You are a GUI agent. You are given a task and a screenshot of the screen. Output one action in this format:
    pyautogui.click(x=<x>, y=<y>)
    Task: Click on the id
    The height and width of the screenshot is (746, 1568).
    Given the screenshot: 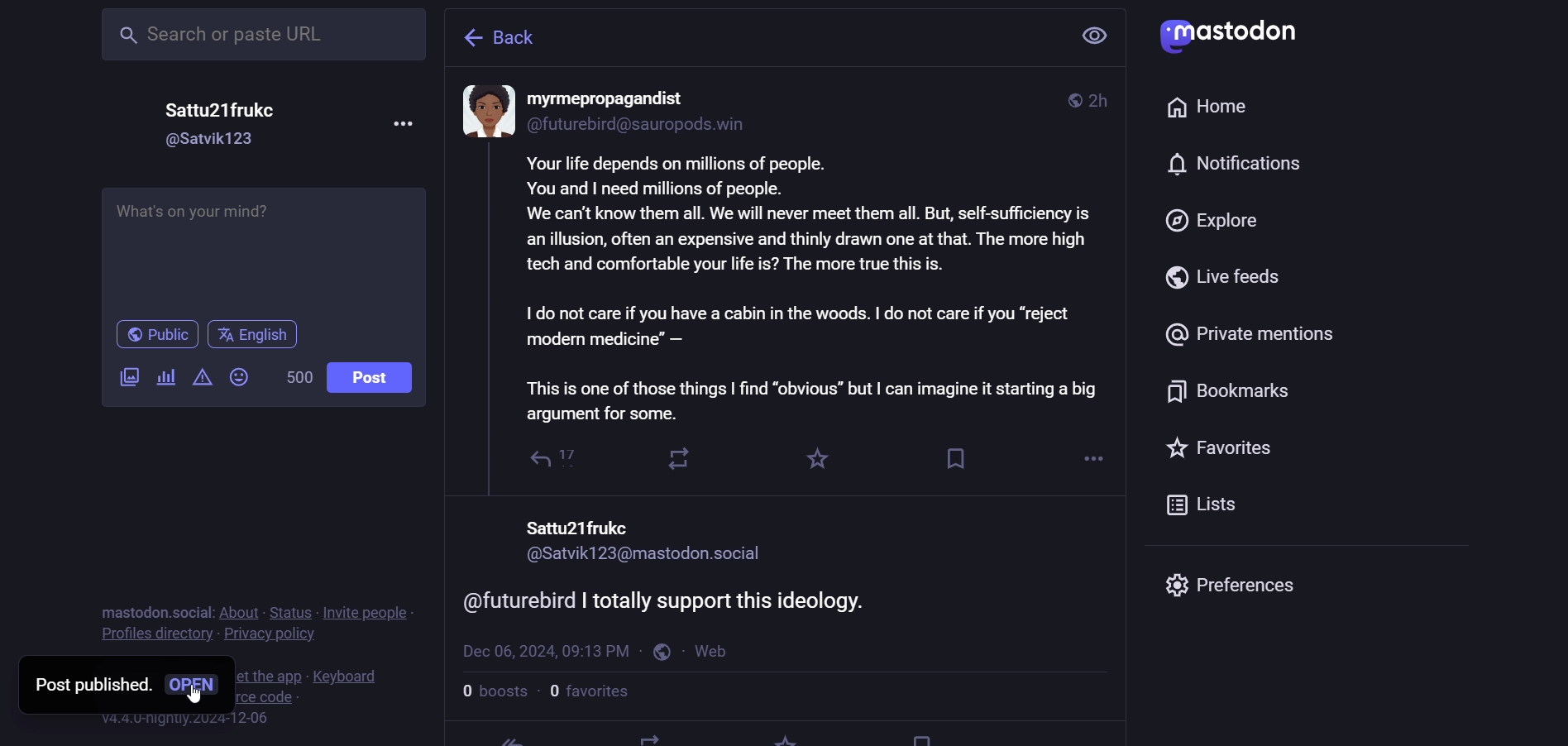 What is the action you would take?
    pyautogui.click(x=642, y=127)
    